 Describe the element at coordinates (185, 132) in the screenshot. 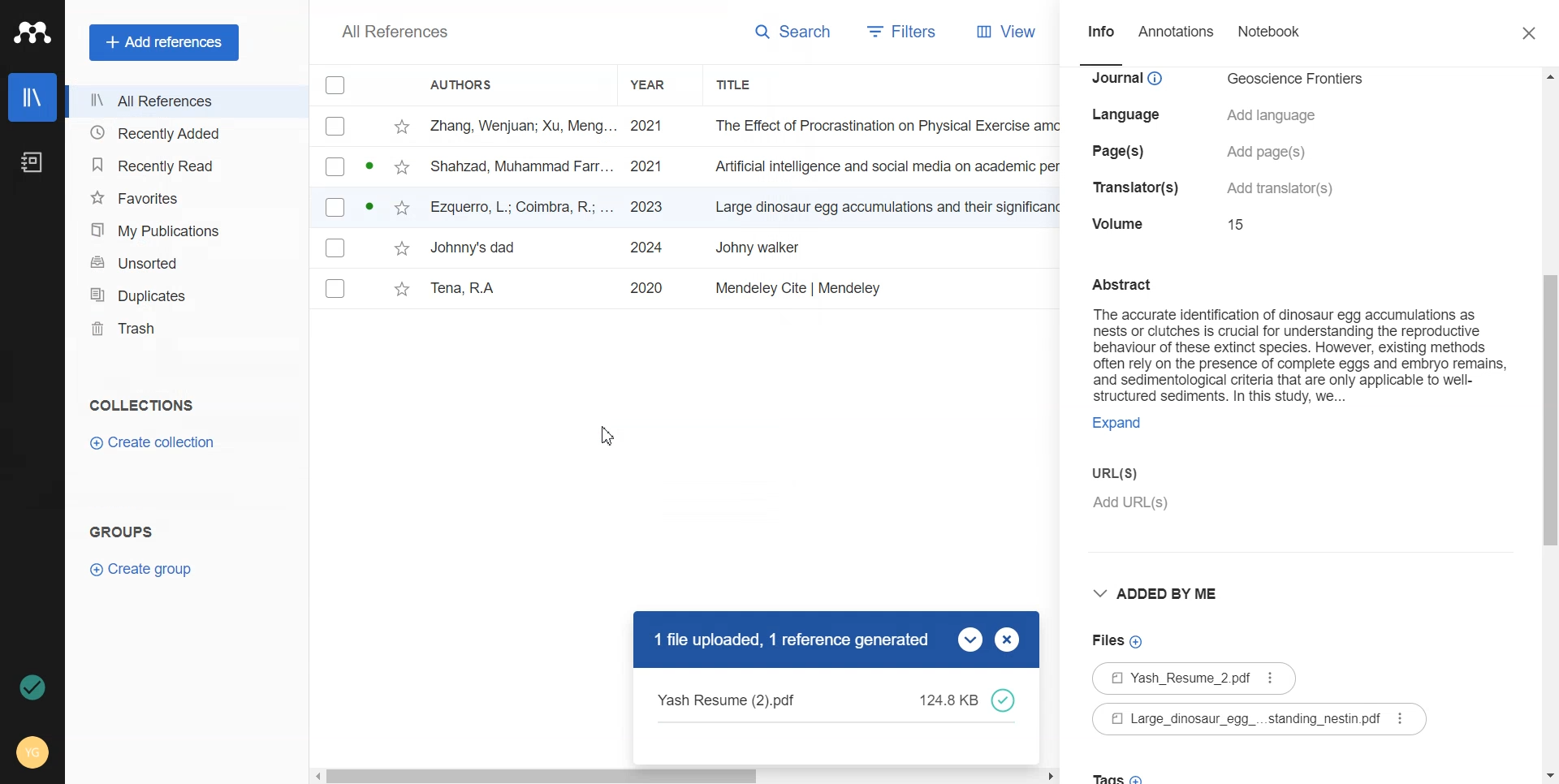

I see `Recently Added` at that location.